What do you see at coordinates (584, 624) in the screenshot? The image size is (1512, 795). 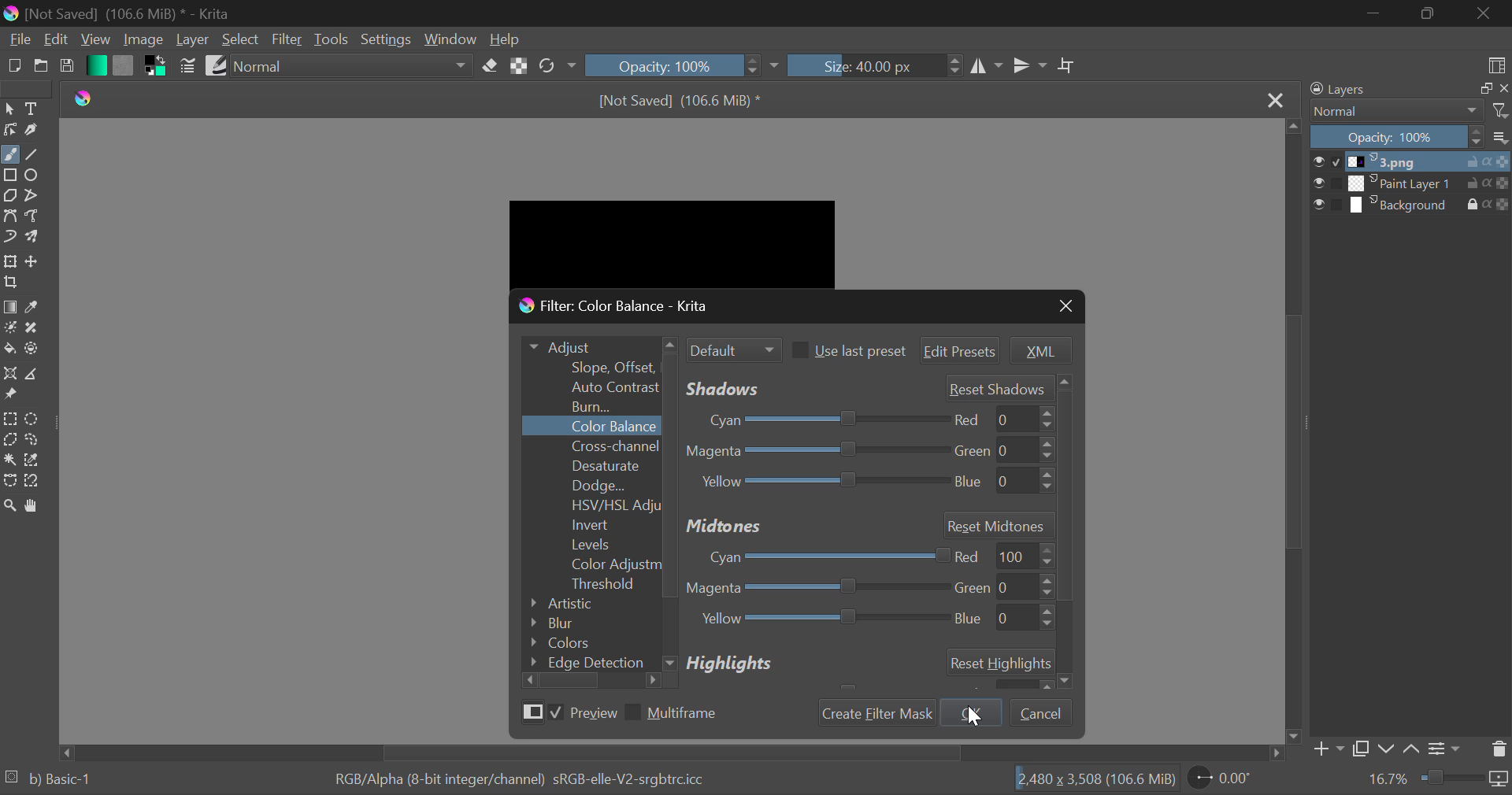 I see `Blur` at bounding box center [584, 624].